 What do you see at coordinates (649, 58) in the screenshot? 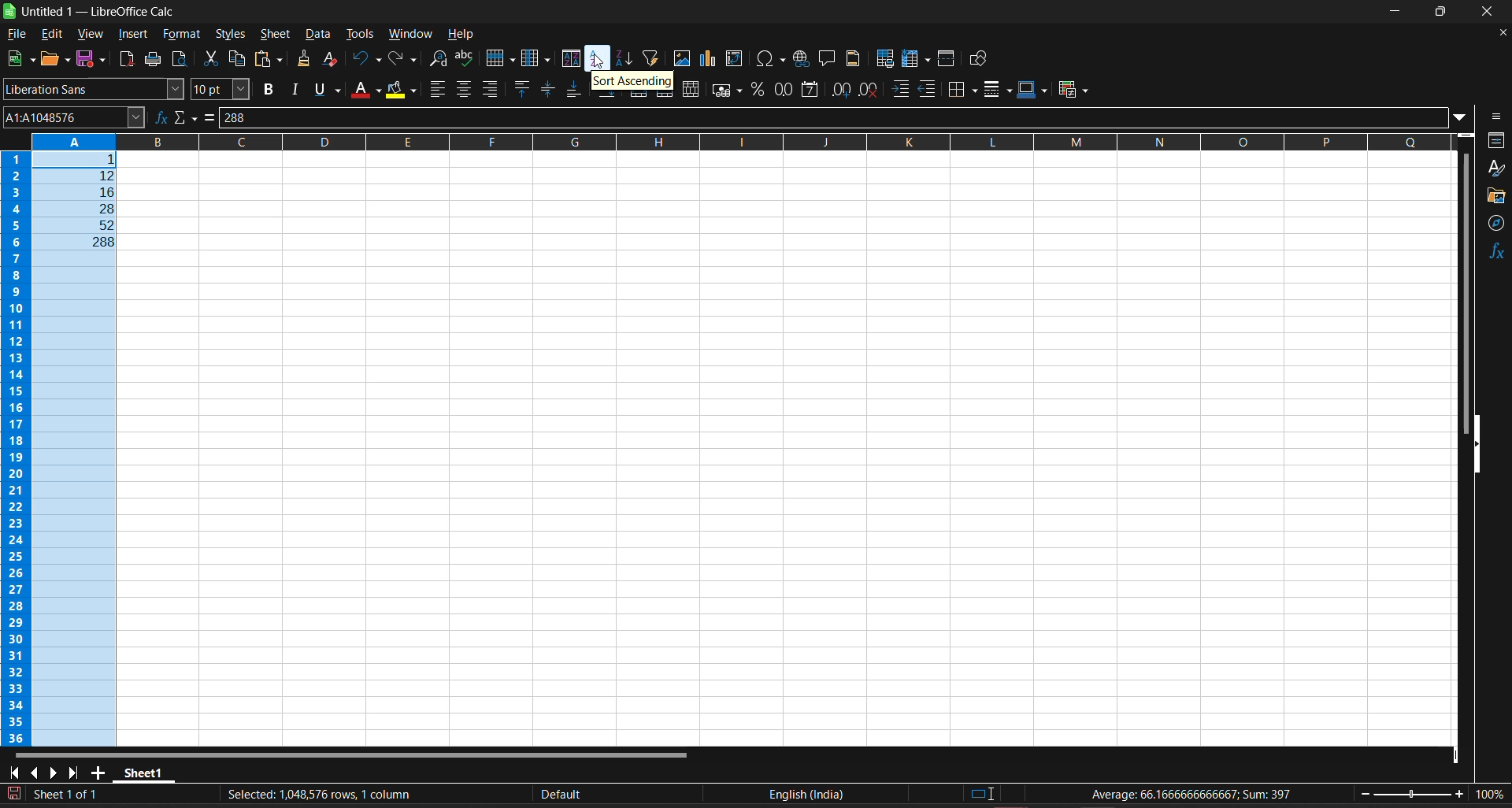
I see `autofilter` at bounding box center [649, 58].